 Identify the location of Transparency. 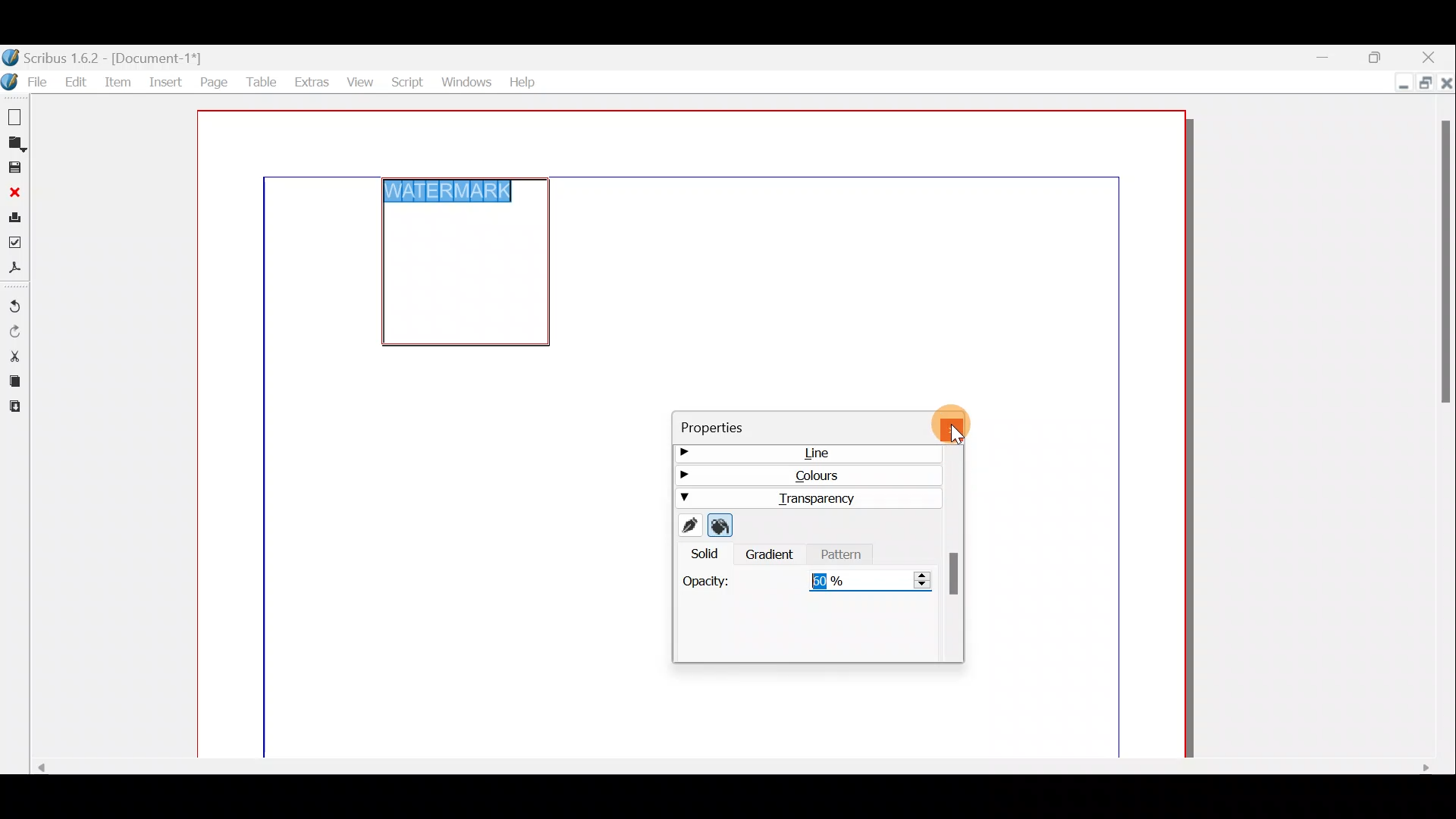
(808, 498).